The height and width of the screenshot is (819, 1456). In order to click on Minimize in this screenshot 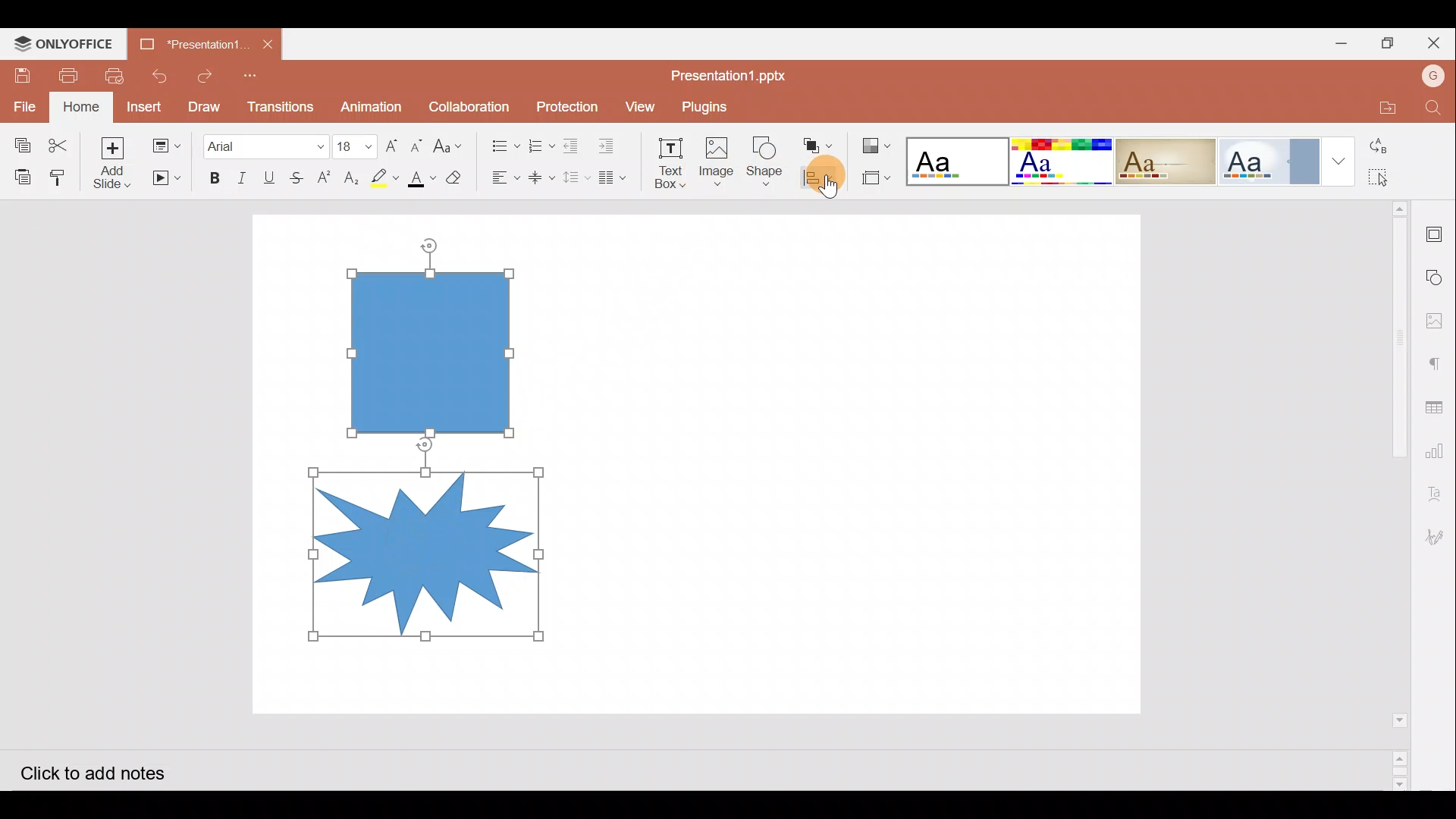, I will do `click(1341, 42)`.